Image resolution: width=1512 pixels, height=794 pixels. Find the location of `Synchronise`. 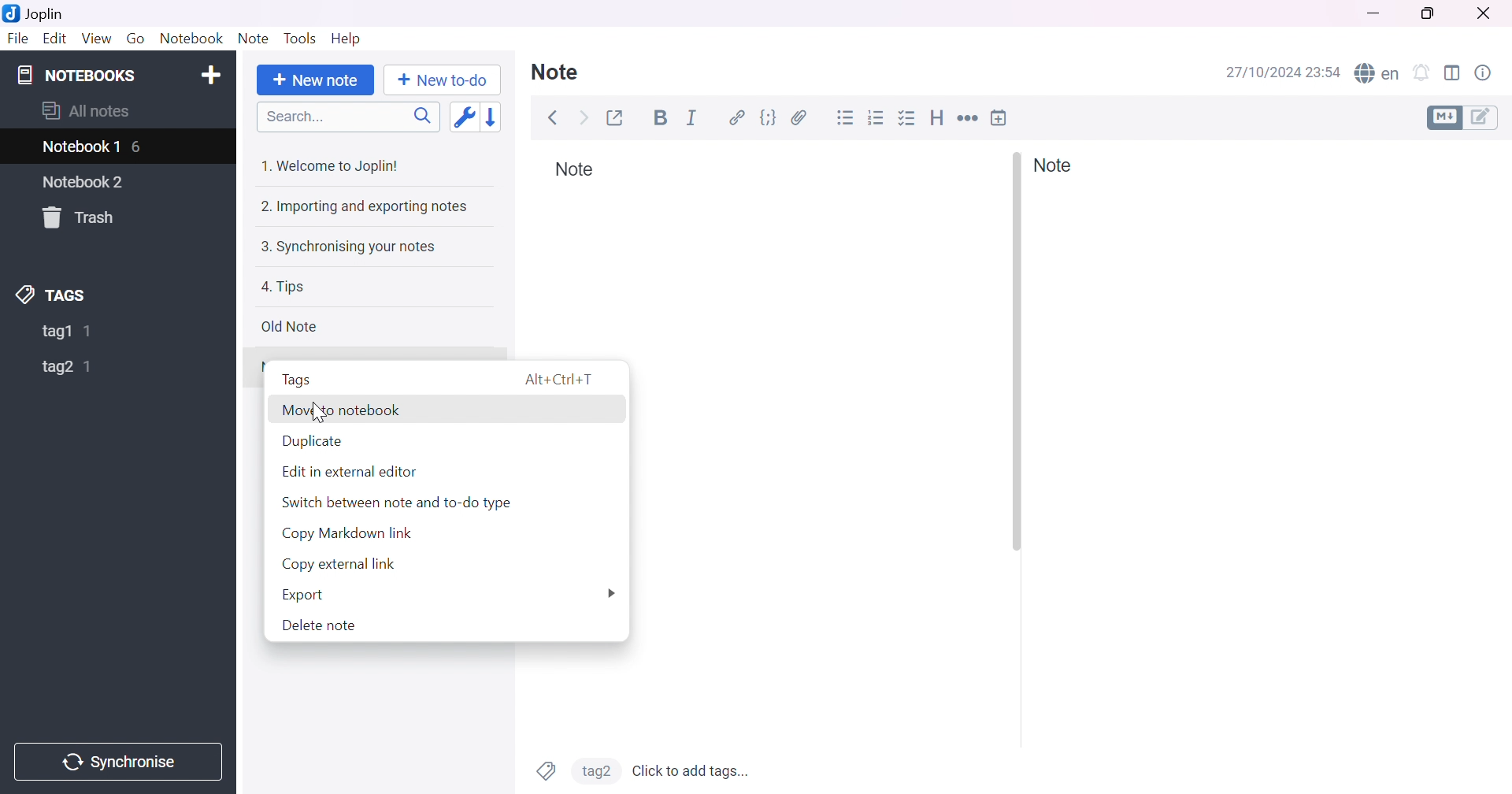

Synchronise is located at coordinates (116, 760).